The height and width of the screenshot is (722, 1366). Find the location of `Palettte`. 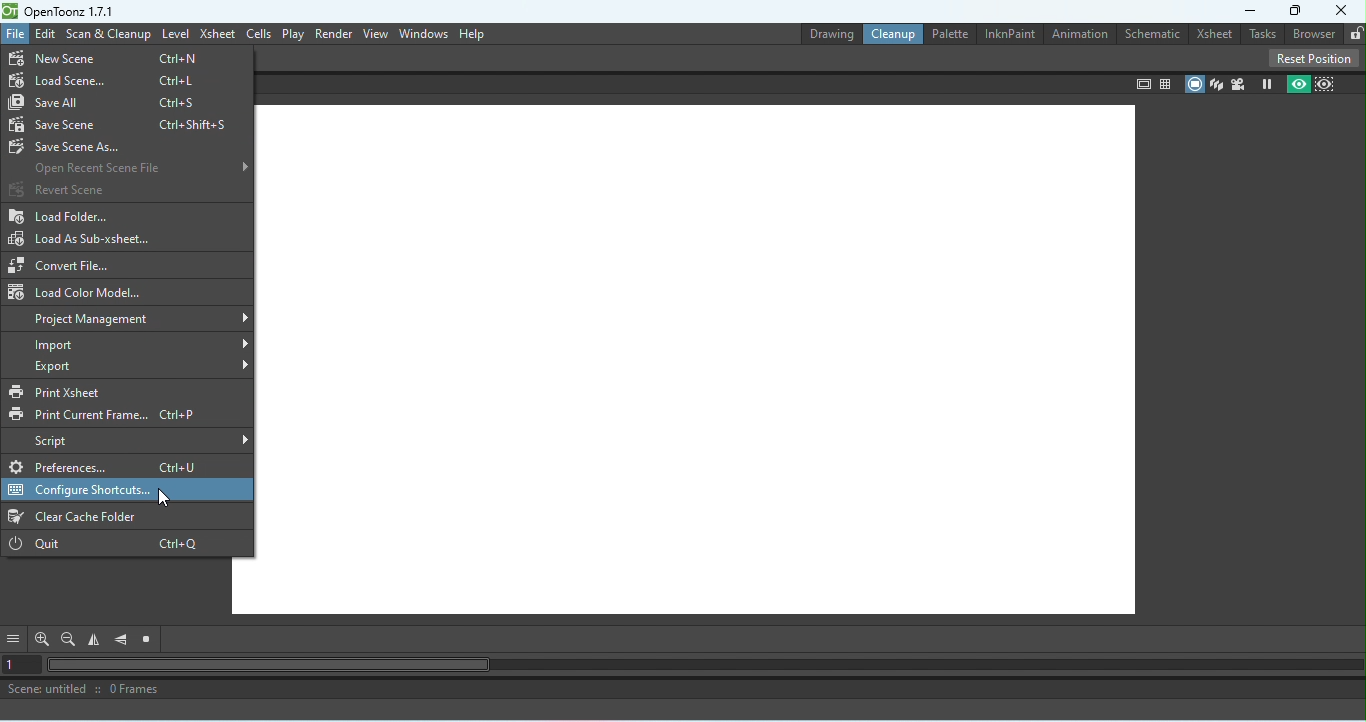

Palettte is located at coordinates (949, 34).